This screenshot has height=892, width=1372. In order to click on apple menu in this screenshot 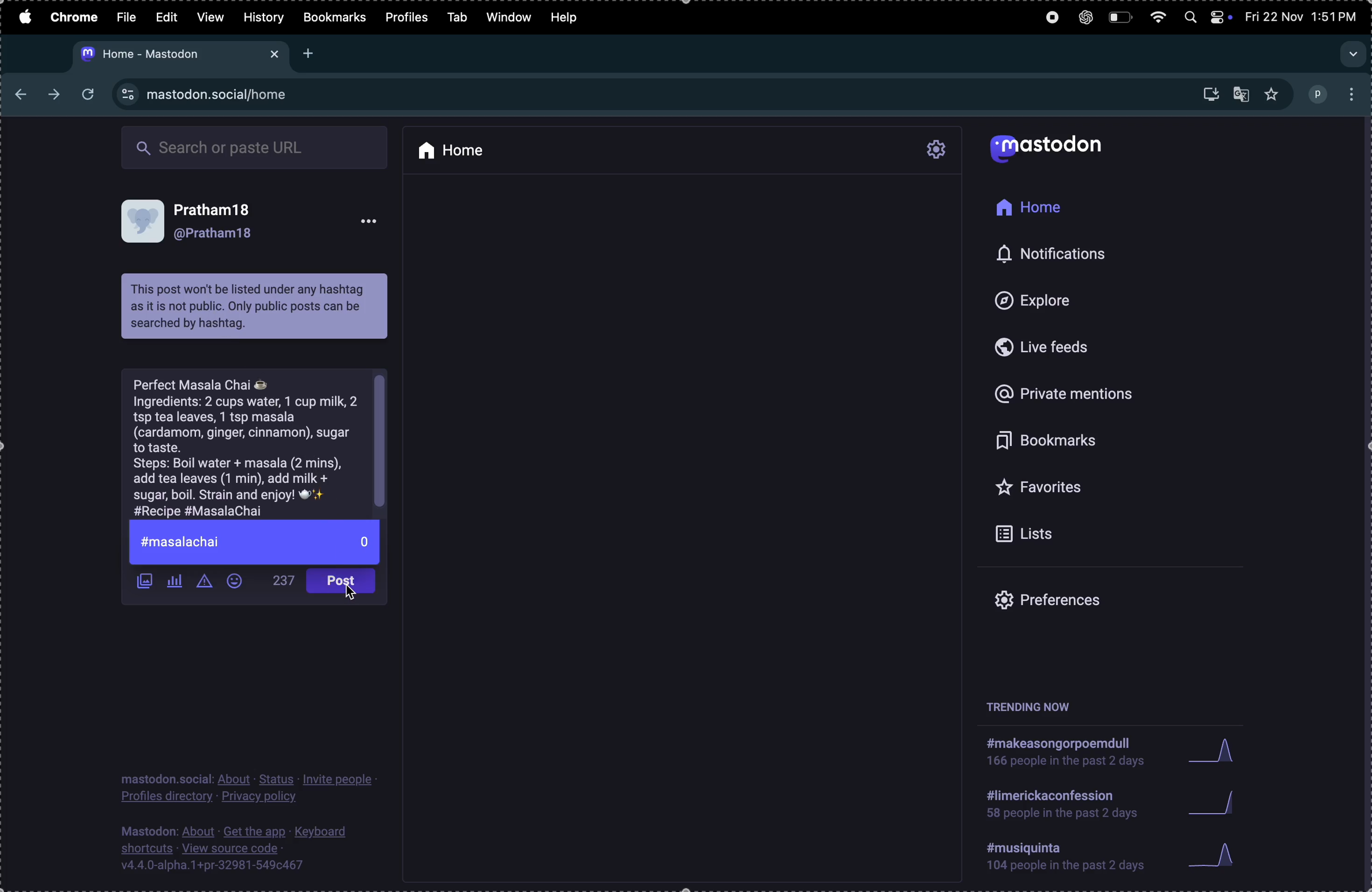, I will do `click(24, 17)`.